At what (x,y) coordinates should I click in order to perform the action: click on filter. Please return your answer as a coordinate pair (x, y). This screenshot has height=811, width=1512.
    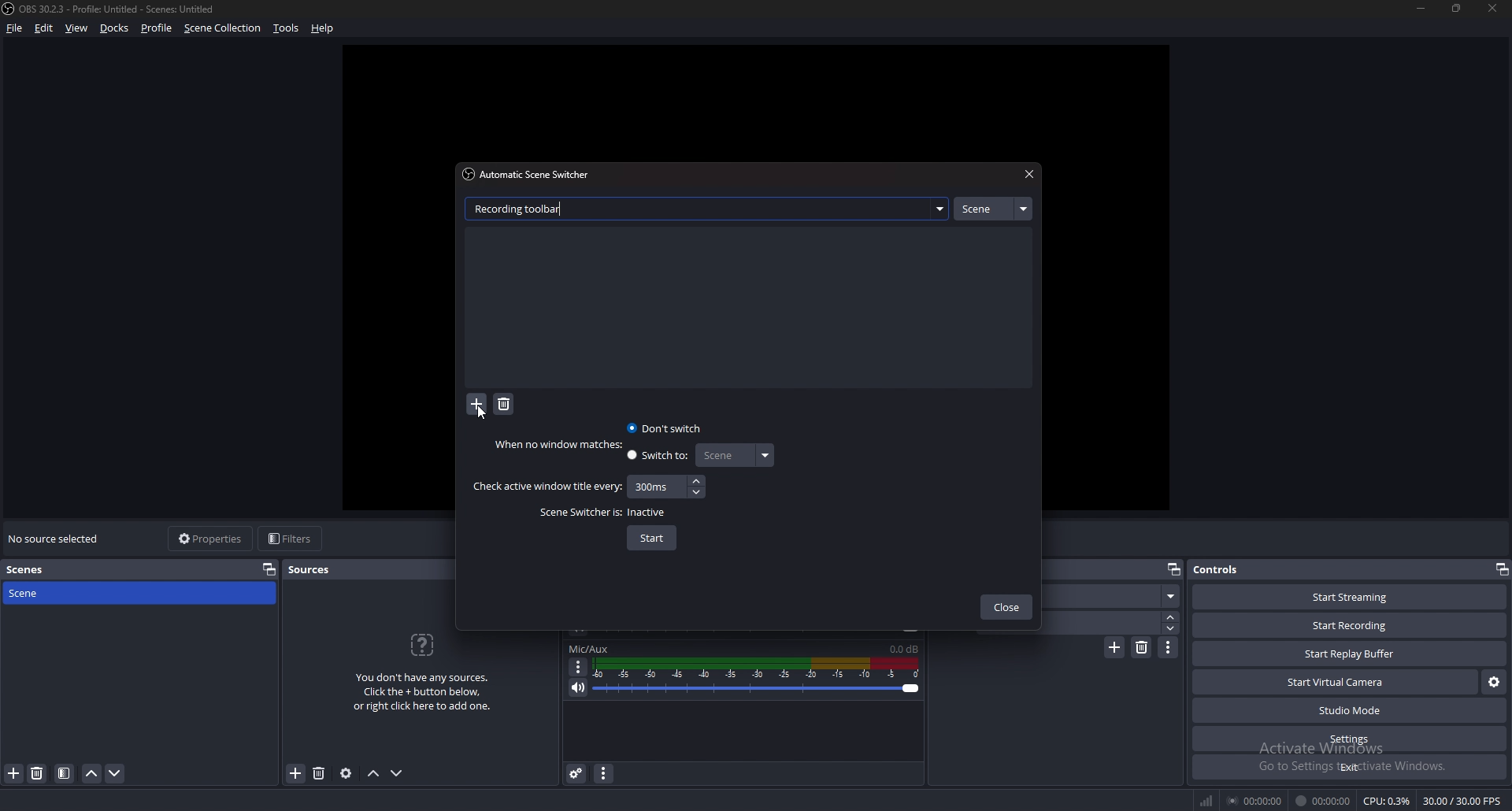
    Looking at the image, I should click on (65, 773).